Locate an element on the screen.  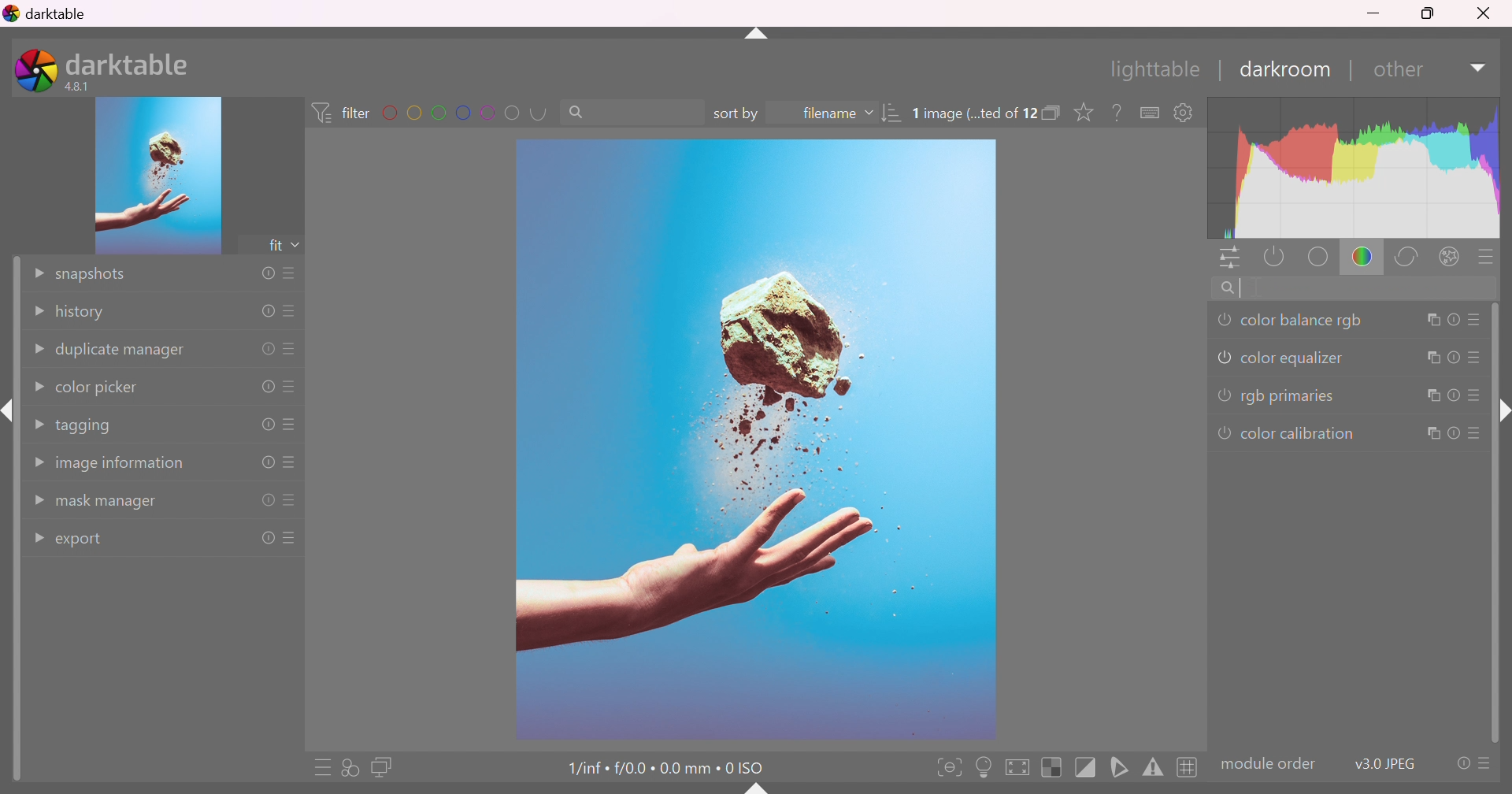
filter is located at coordinates (339, 110).